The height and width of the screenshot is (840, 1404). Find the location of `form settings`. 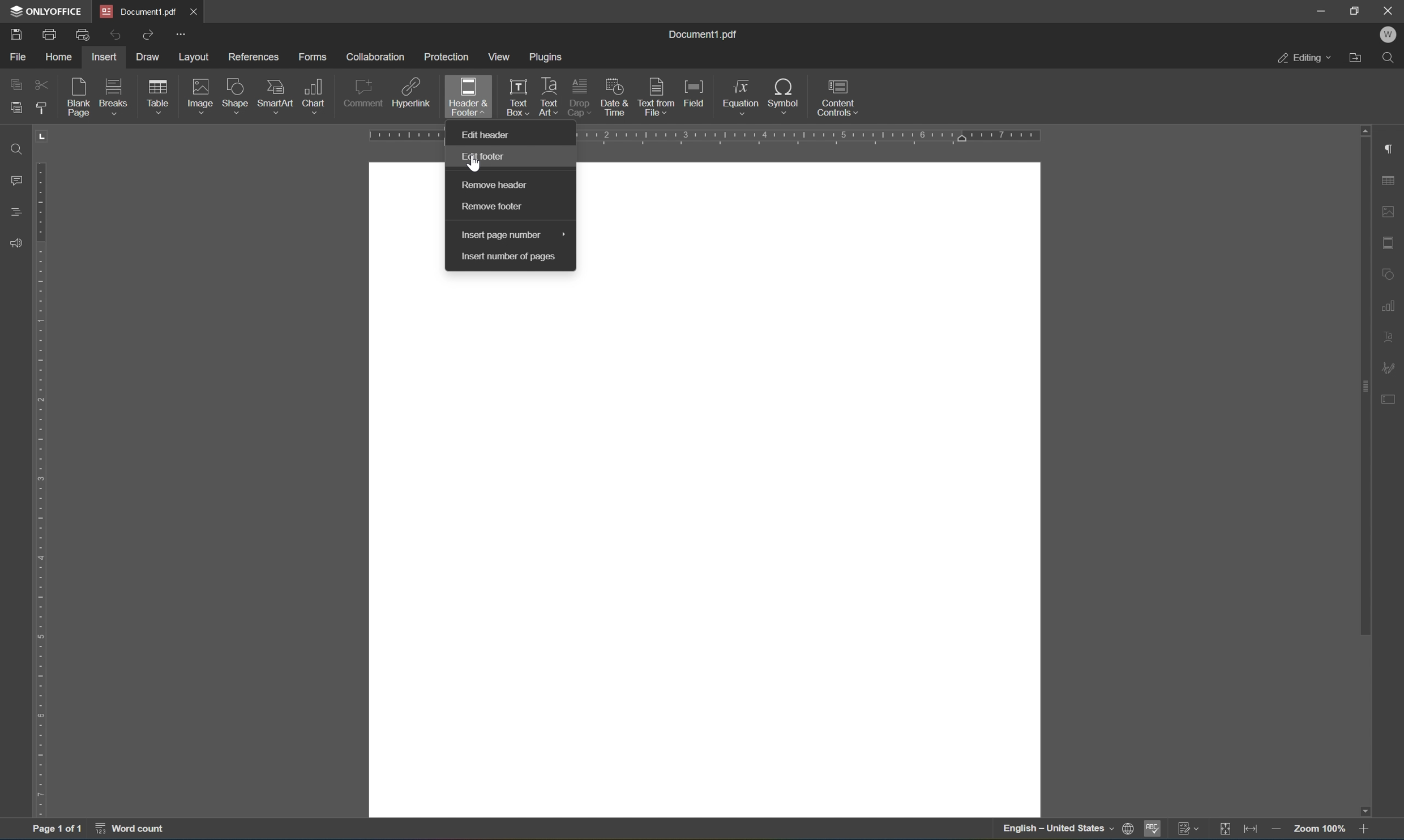

form settings is located at coordinates (1393, 404).